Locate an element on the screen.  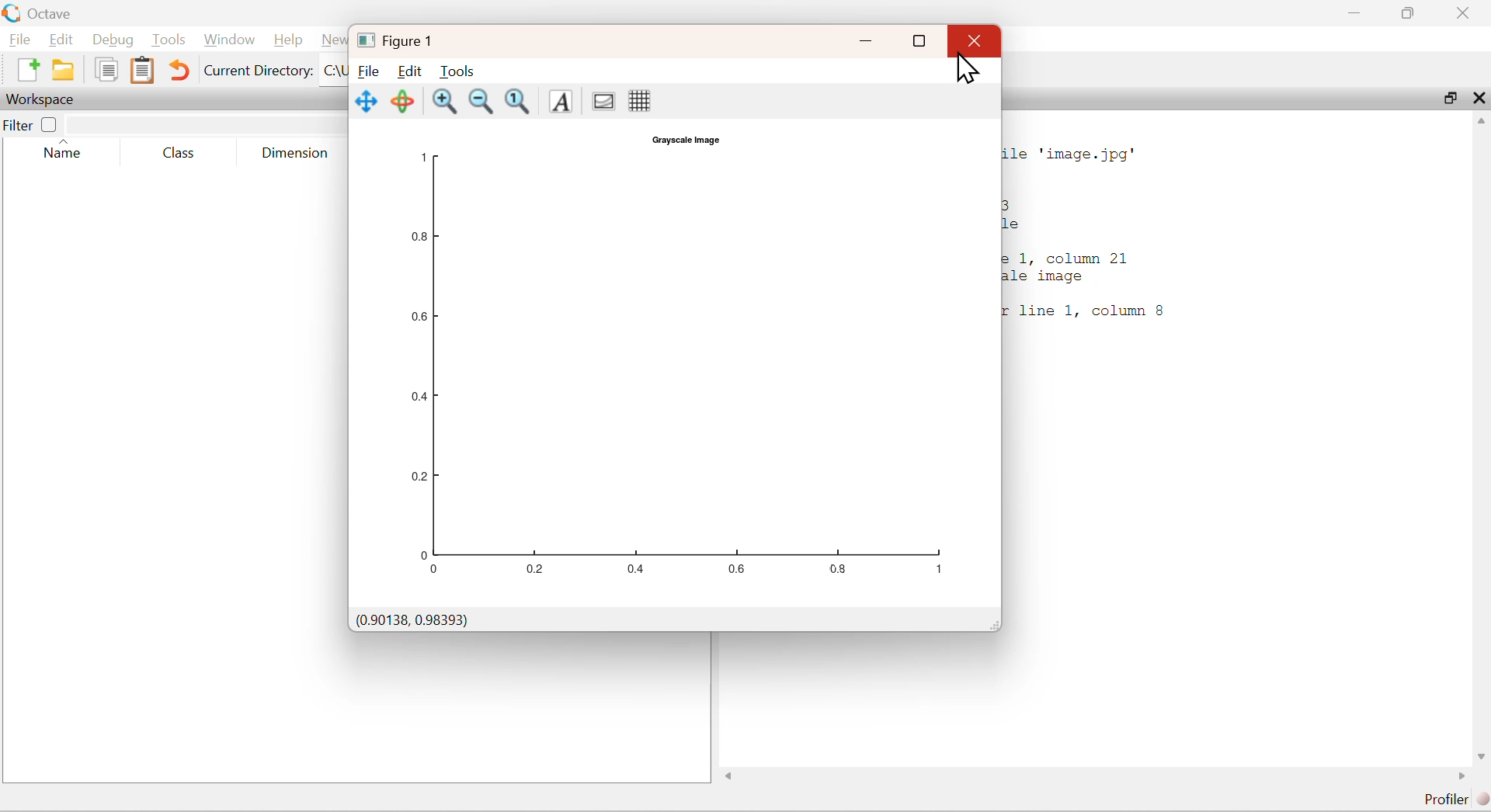
toggle current axes visibility is located at coordinates (603, 100).